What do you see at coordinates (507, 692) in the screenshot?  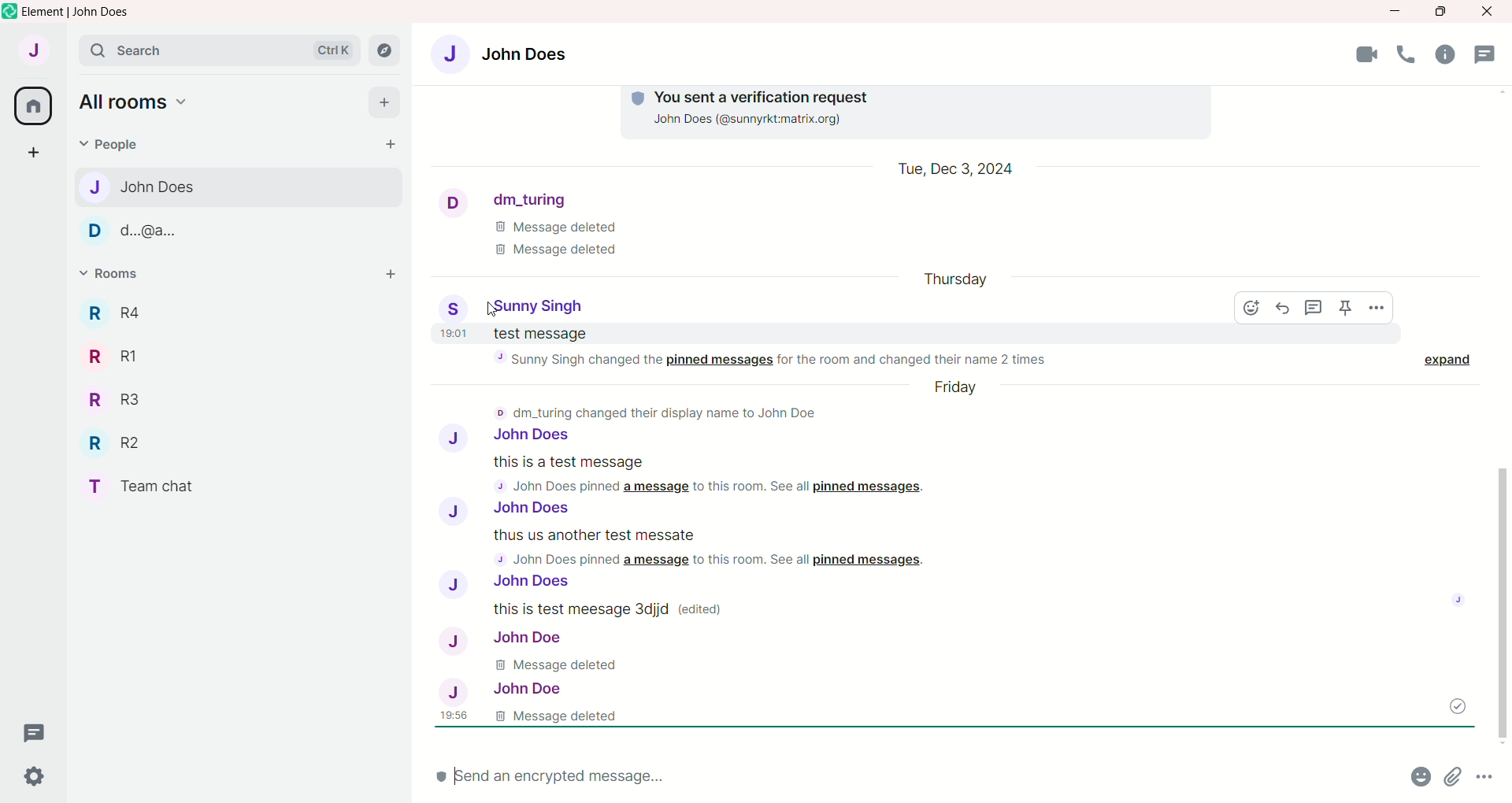 I see `John doe` at bounding box center [507, 692].